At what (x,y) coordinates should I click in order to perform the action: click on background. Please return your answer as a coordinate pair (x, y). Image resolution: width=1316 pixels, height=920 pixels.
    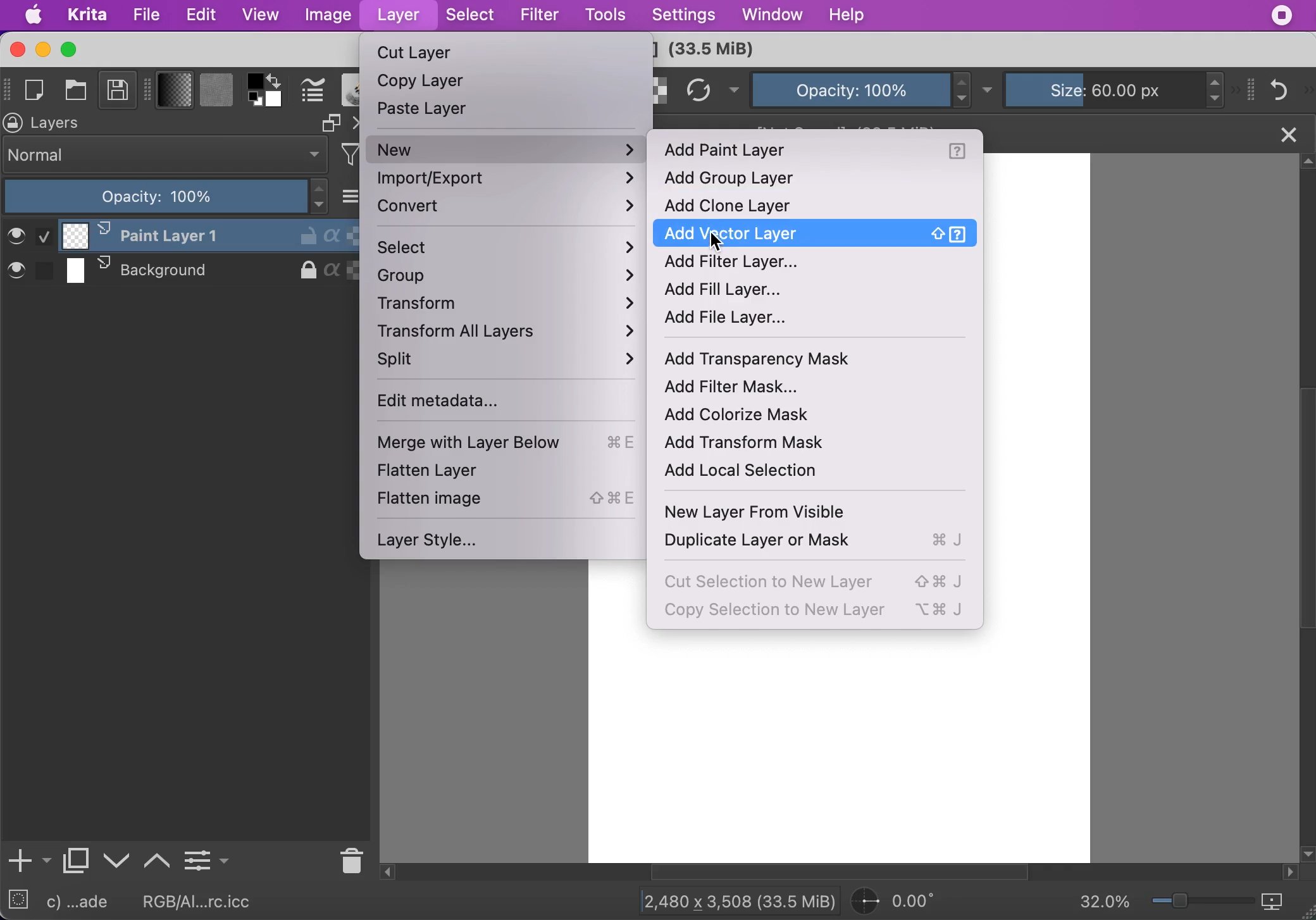
    Looking at the image, I should click on (179, 271).